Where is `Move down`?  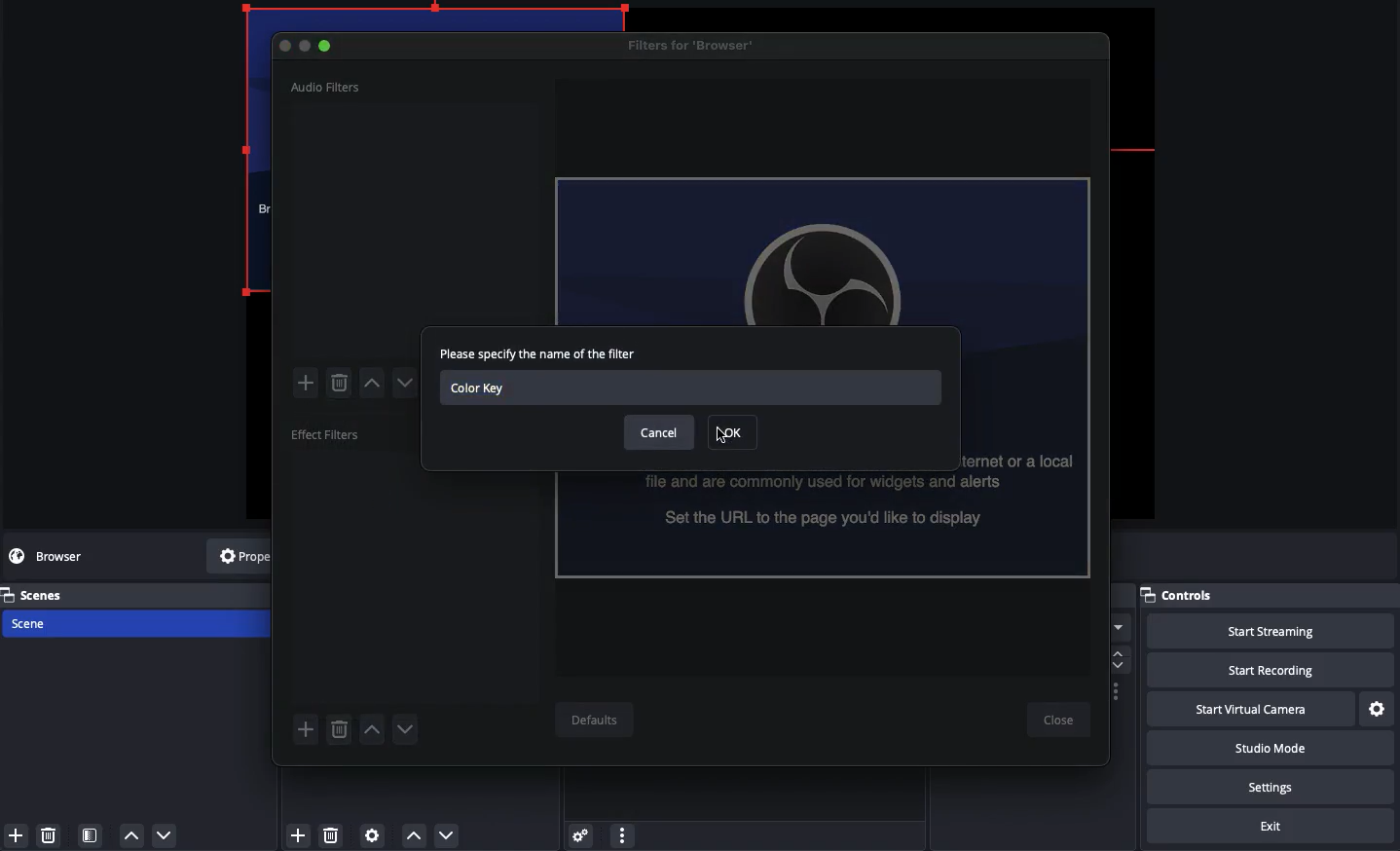
Move down is located at coordinates (444, 835).